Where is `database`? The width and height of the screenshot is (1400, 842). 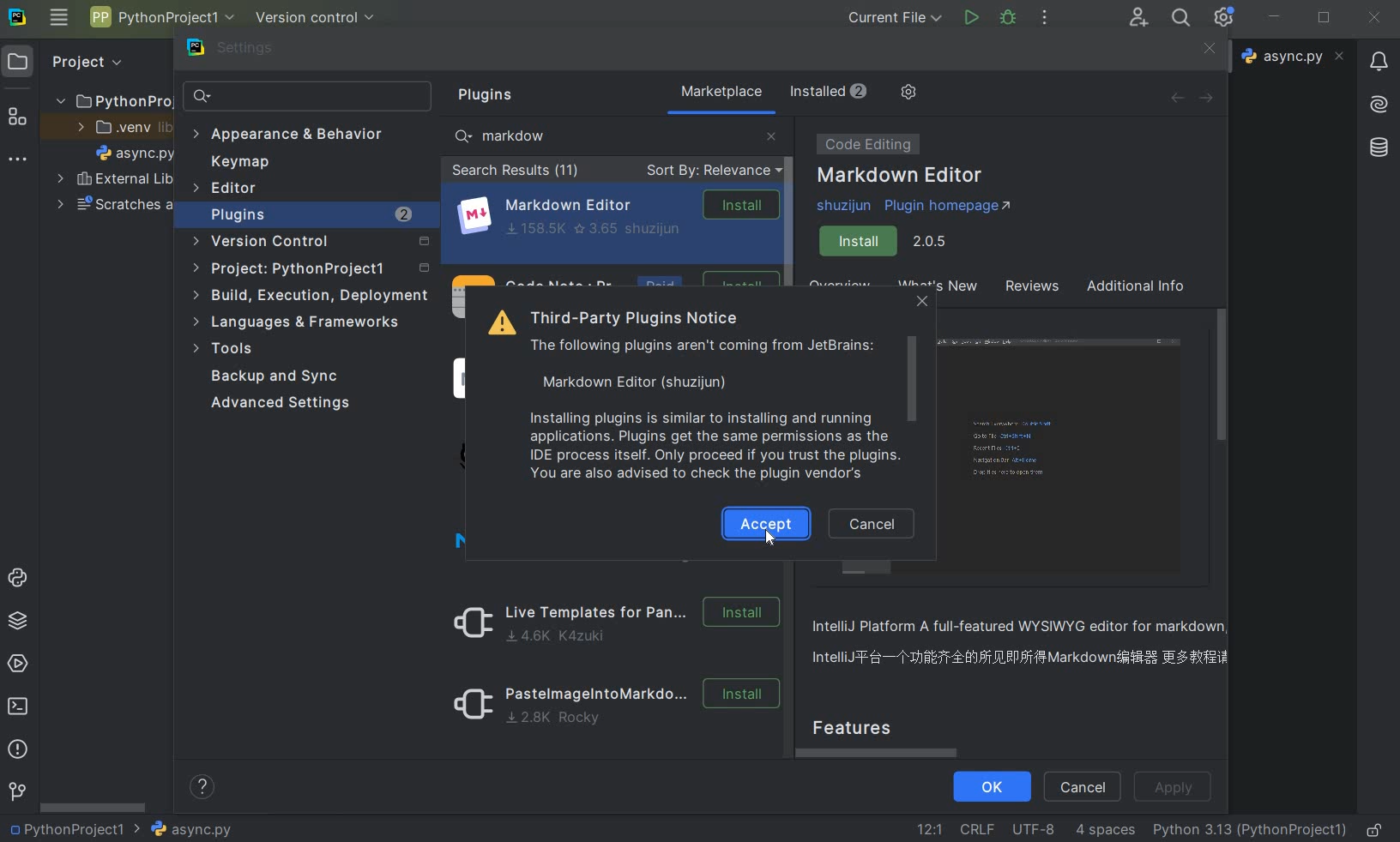
database is located at coordinates (1378, 148).